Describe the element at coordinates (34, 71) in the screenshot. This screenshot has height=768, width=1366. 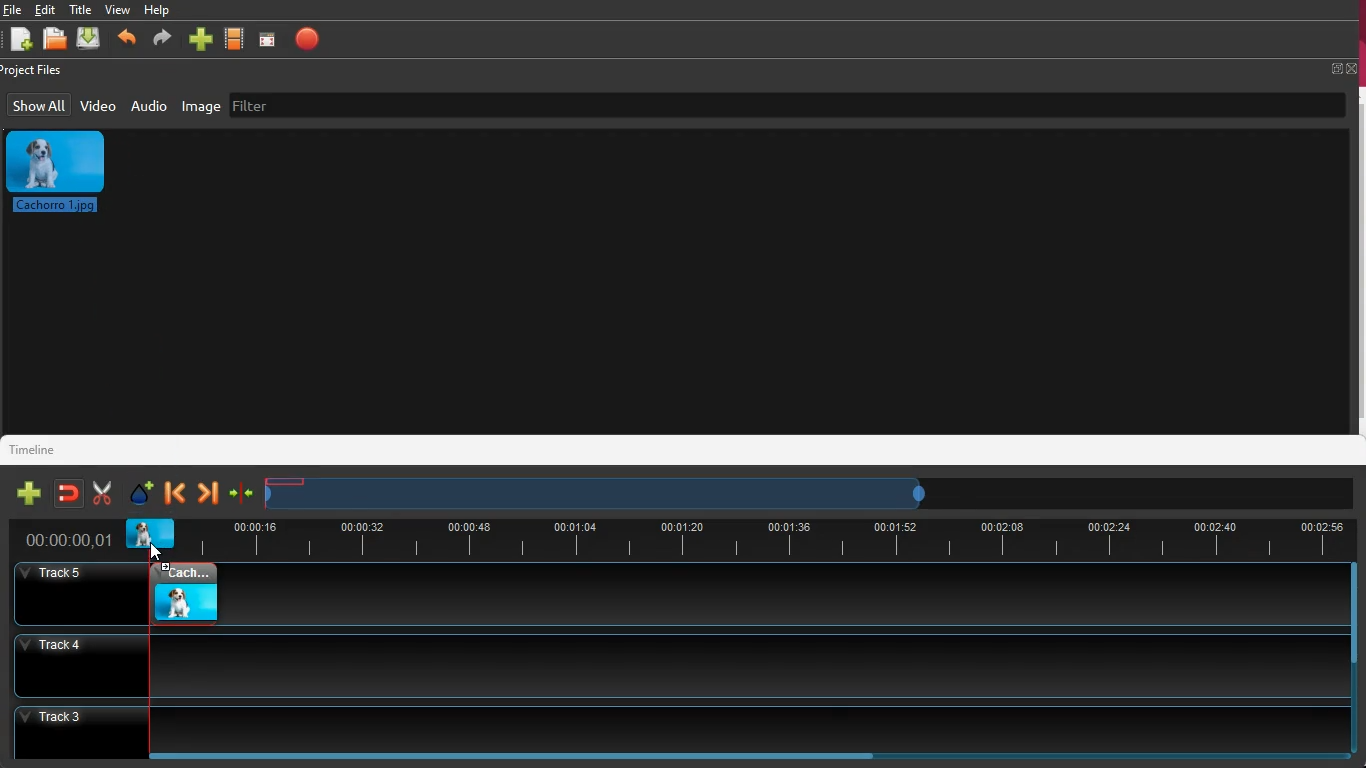
I see `project files` at that location.